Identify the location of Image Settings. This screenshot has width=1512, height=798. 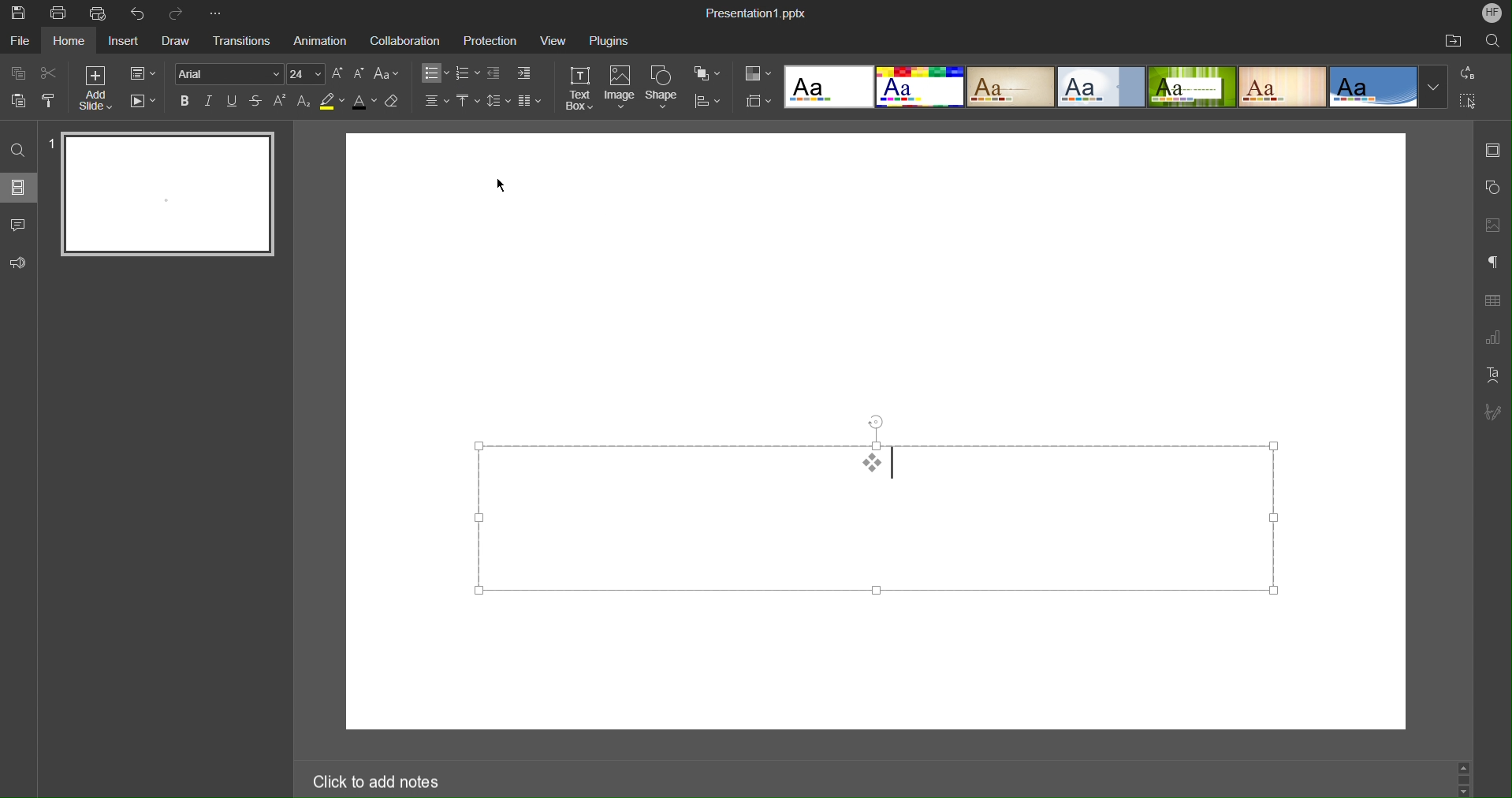
(1492, 226).